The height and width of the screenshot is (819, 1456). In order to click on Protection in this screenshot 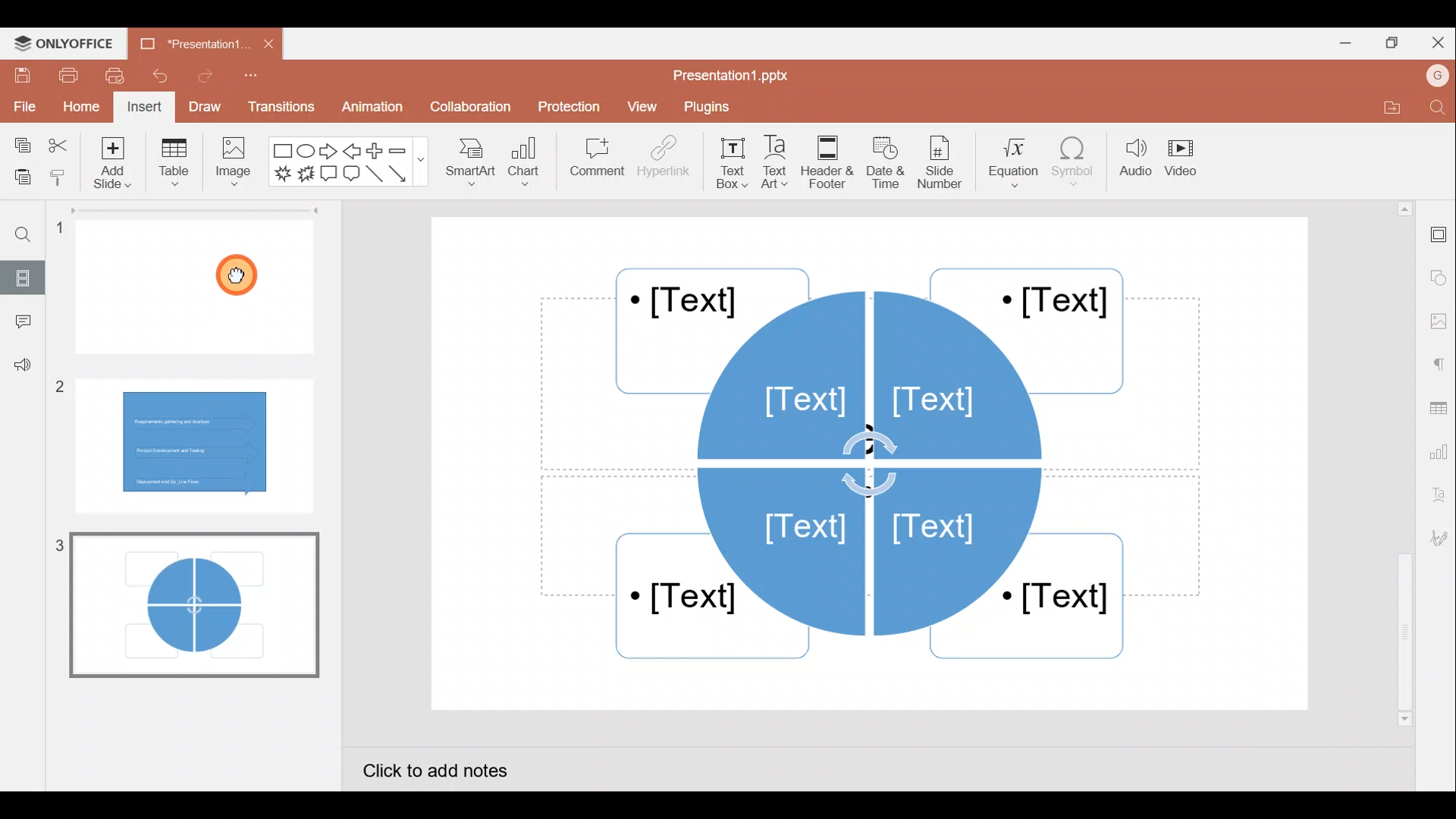, I will do `click(566, 103)`.